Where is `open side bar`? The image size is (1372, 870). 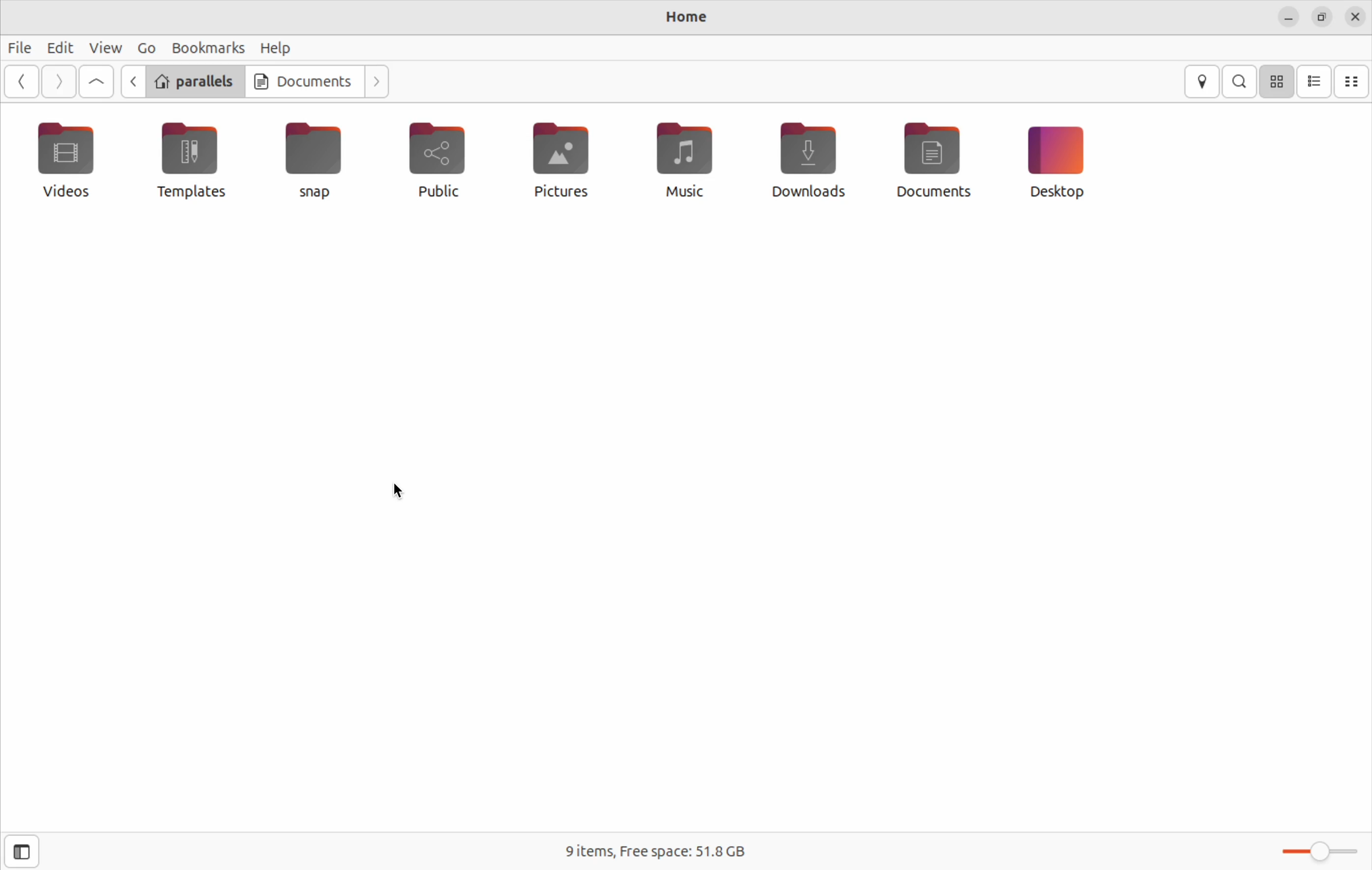 open side bar is located at coordinates (17, 853).